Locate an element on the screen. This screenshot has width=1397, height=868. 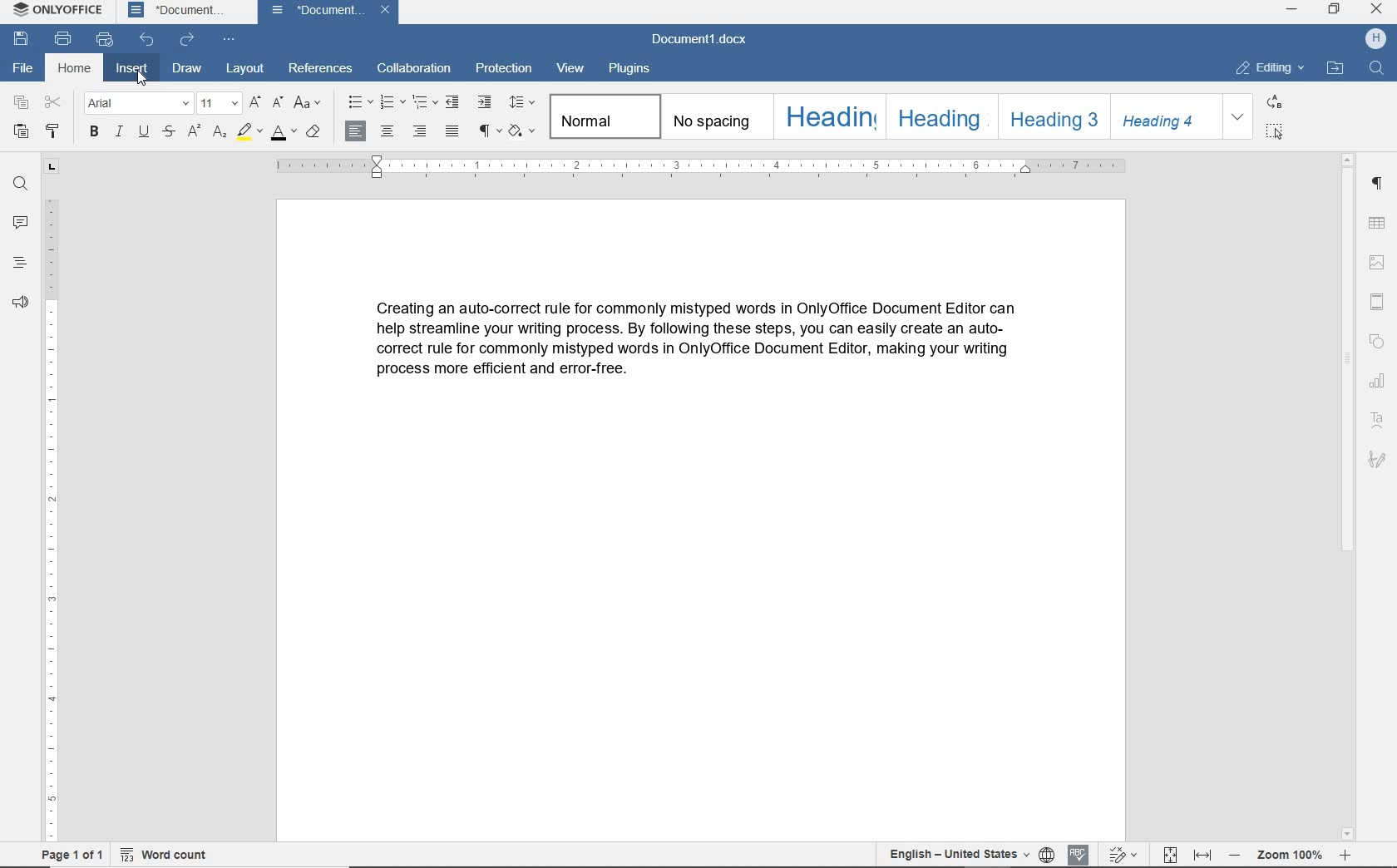
file is located at coordinates (22, 68).